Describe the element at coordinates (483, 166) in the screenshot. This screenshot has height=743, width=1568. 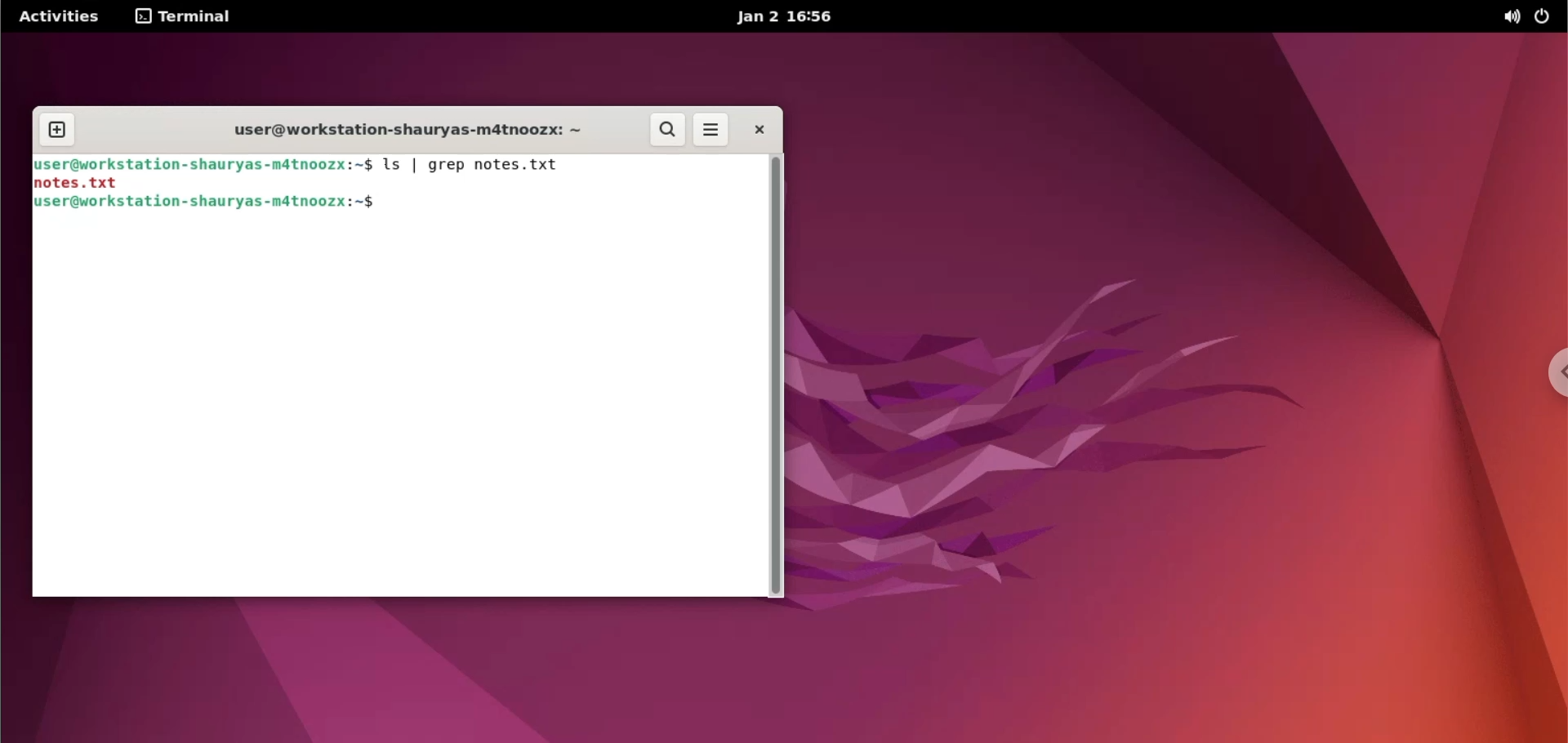
I see `ls | grep notes.txt` at that location.